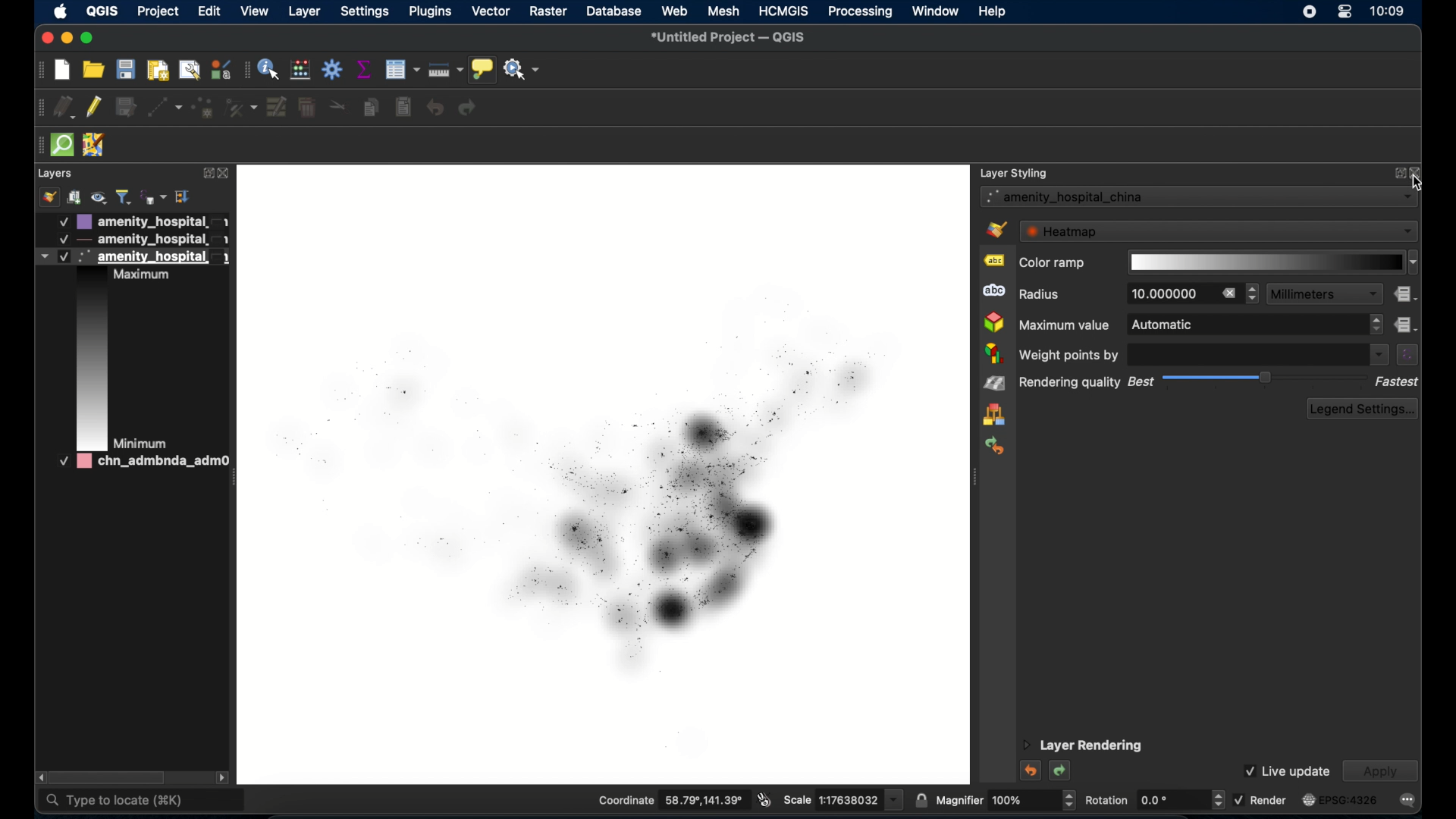 The height and width of the screenshot is (819, 1456). Describe the element at coordinates (157, 13) in the screenshot. I see `project` at that location.